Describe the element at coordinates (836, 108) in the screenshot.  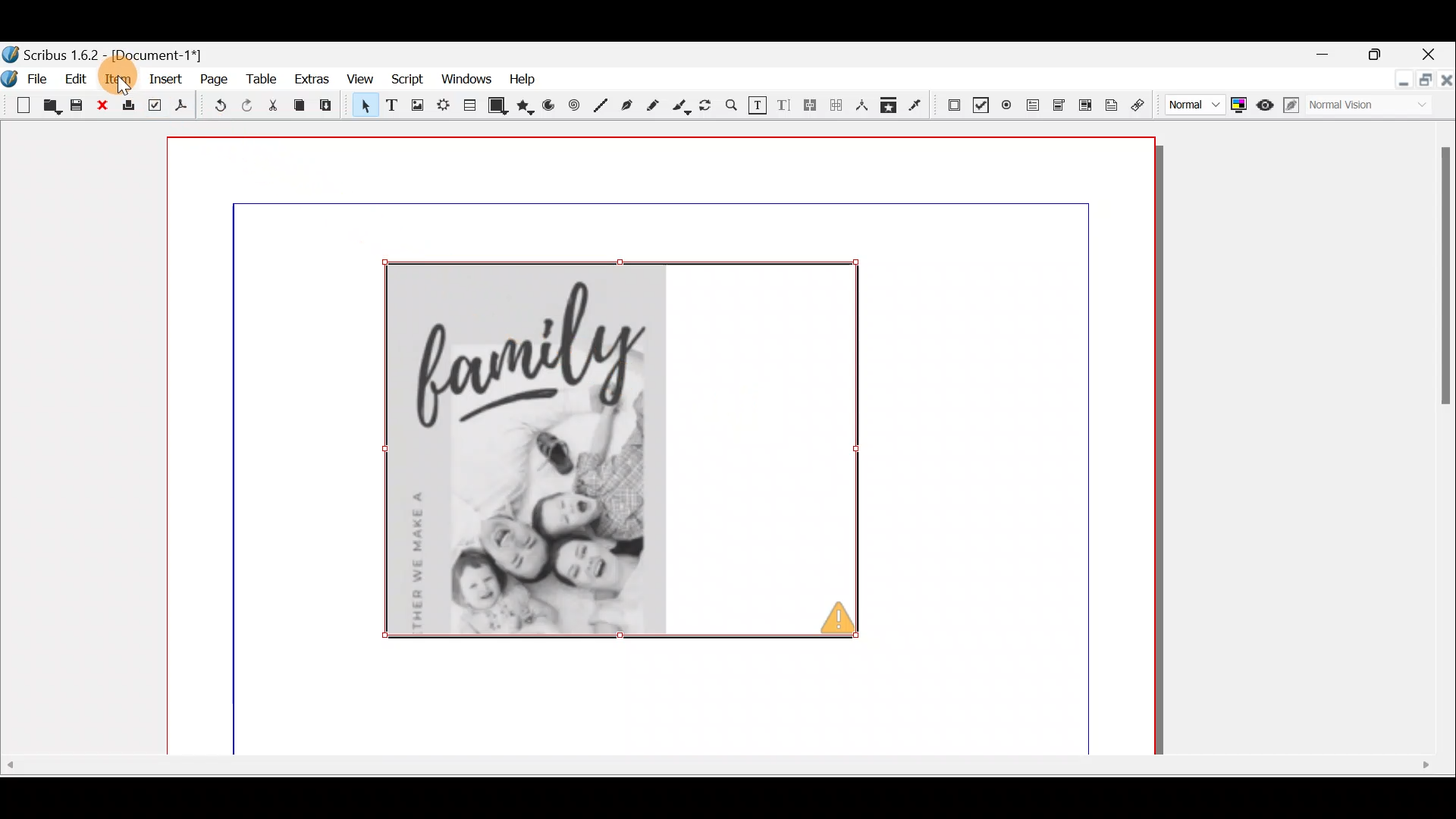
I see `Unlink text frames` at that location.